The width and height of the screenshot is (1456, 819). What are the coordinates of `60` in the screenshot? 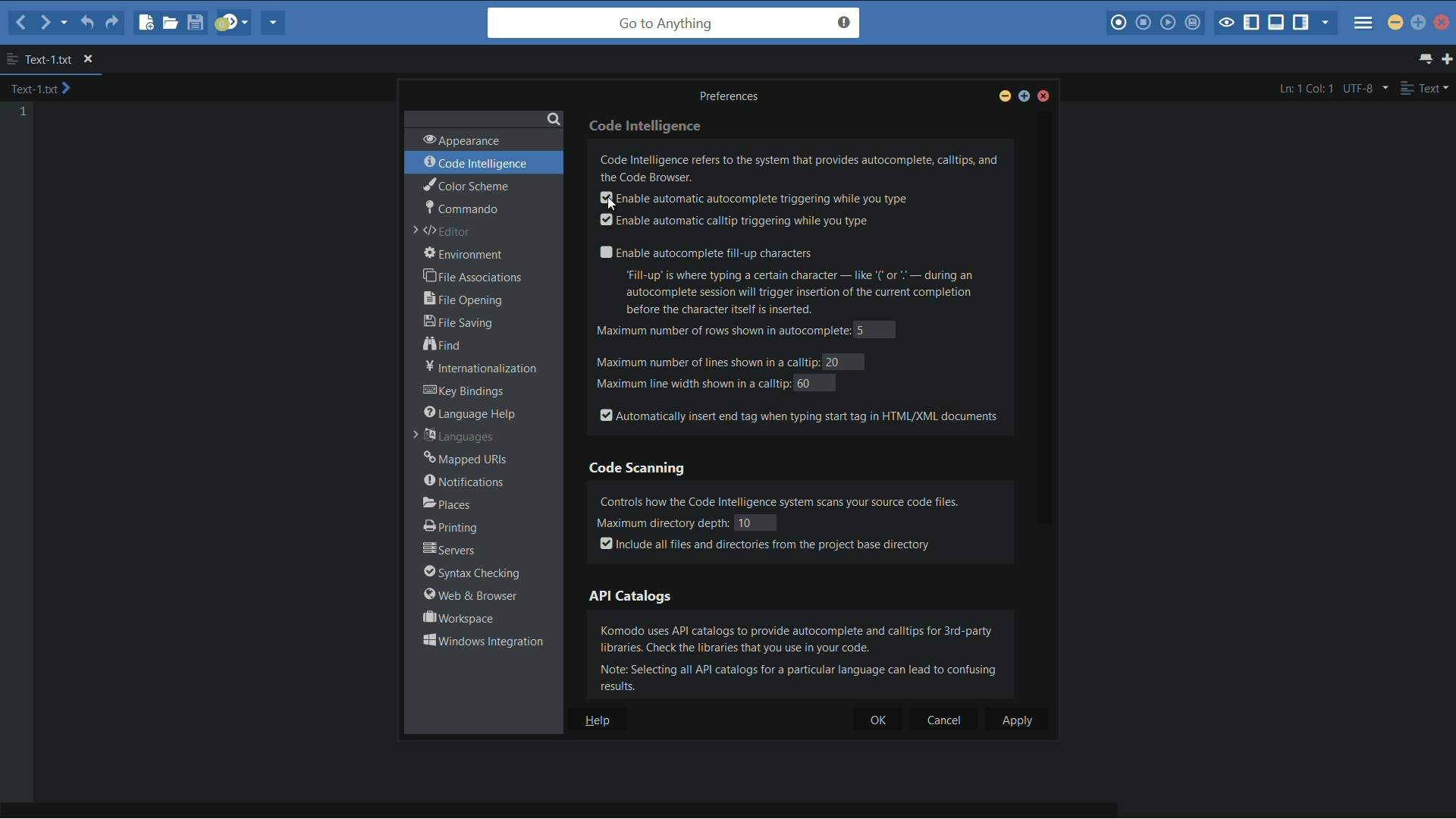 It's located at (805, 382).